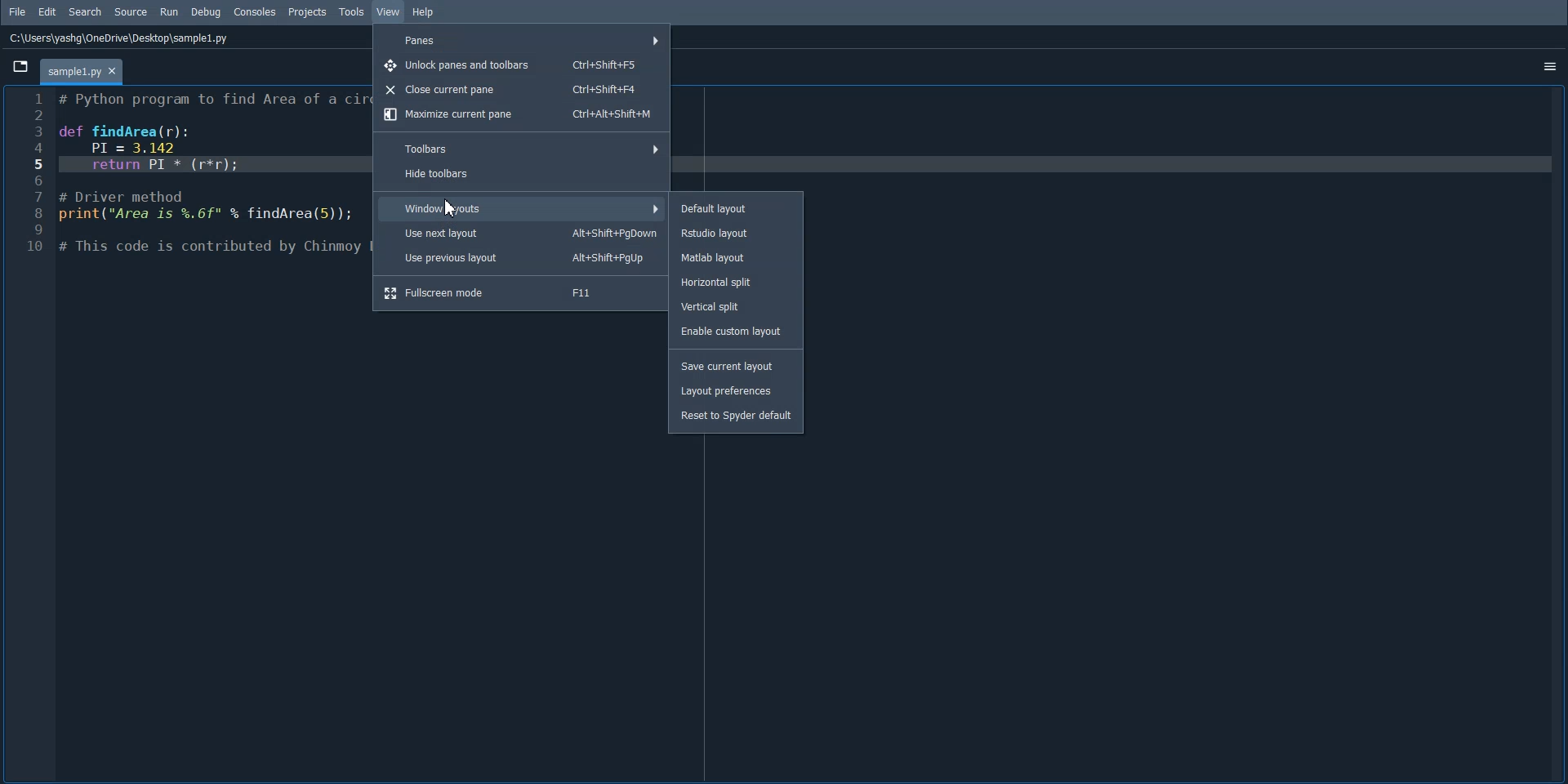  I want to click on Rstudio layout, so click(737, 233).